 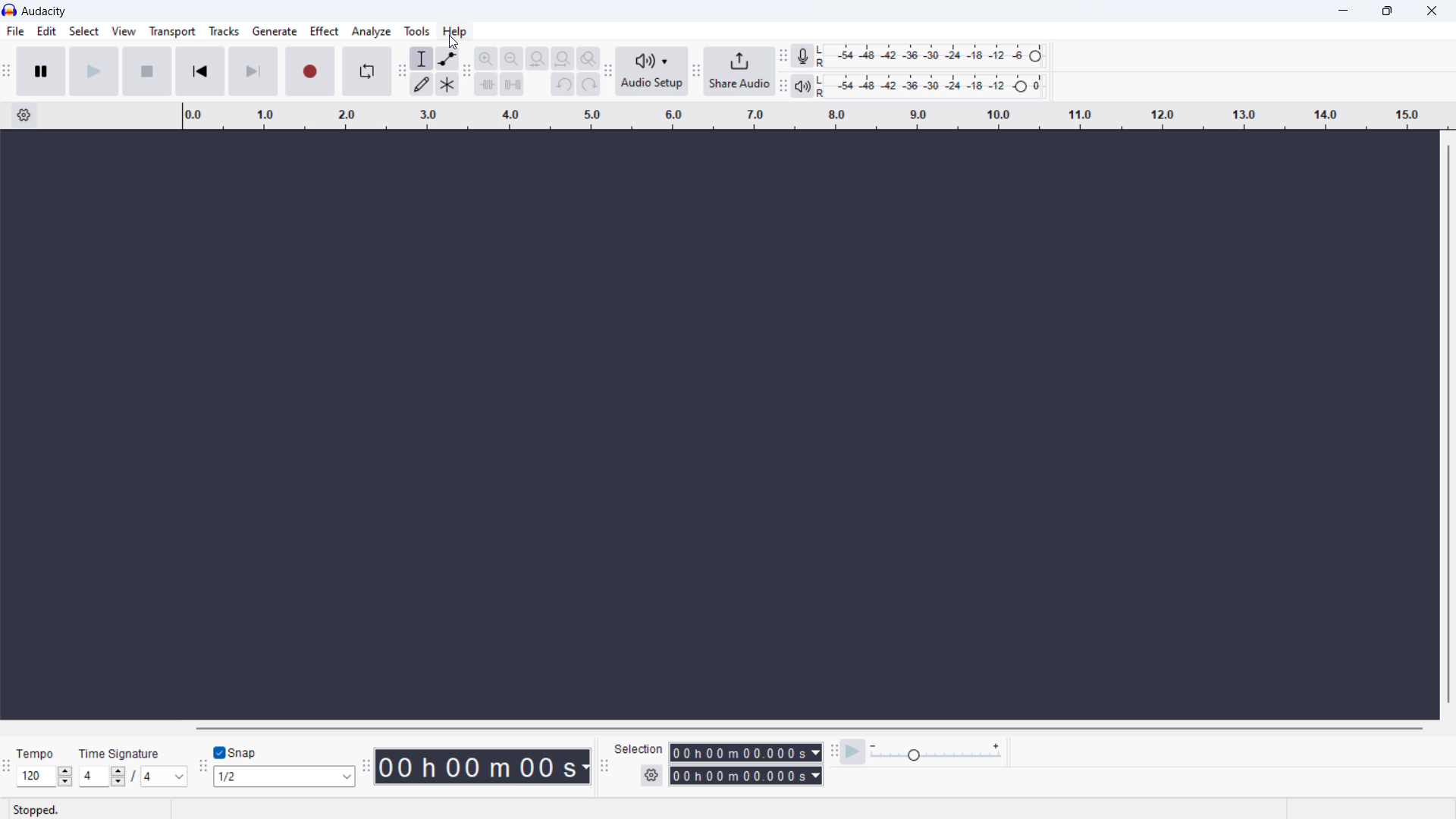 What do you see at coordinates (422, 84) in the screenshot?
I see `draw tool` at bounding box center [422, 84].